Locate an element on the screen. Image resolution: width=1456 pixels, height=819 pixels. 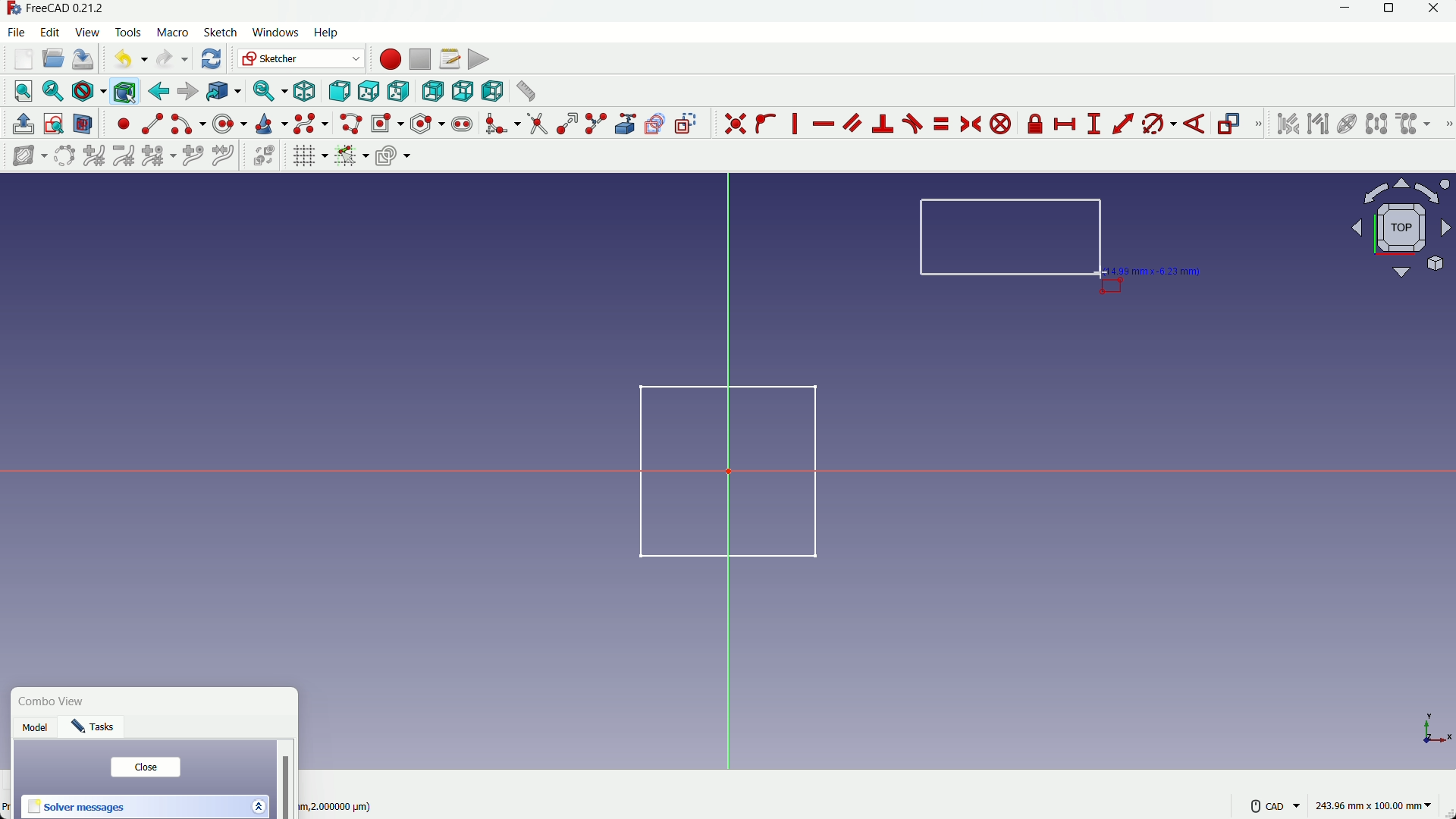
redo is located at coordinates (172, 59).